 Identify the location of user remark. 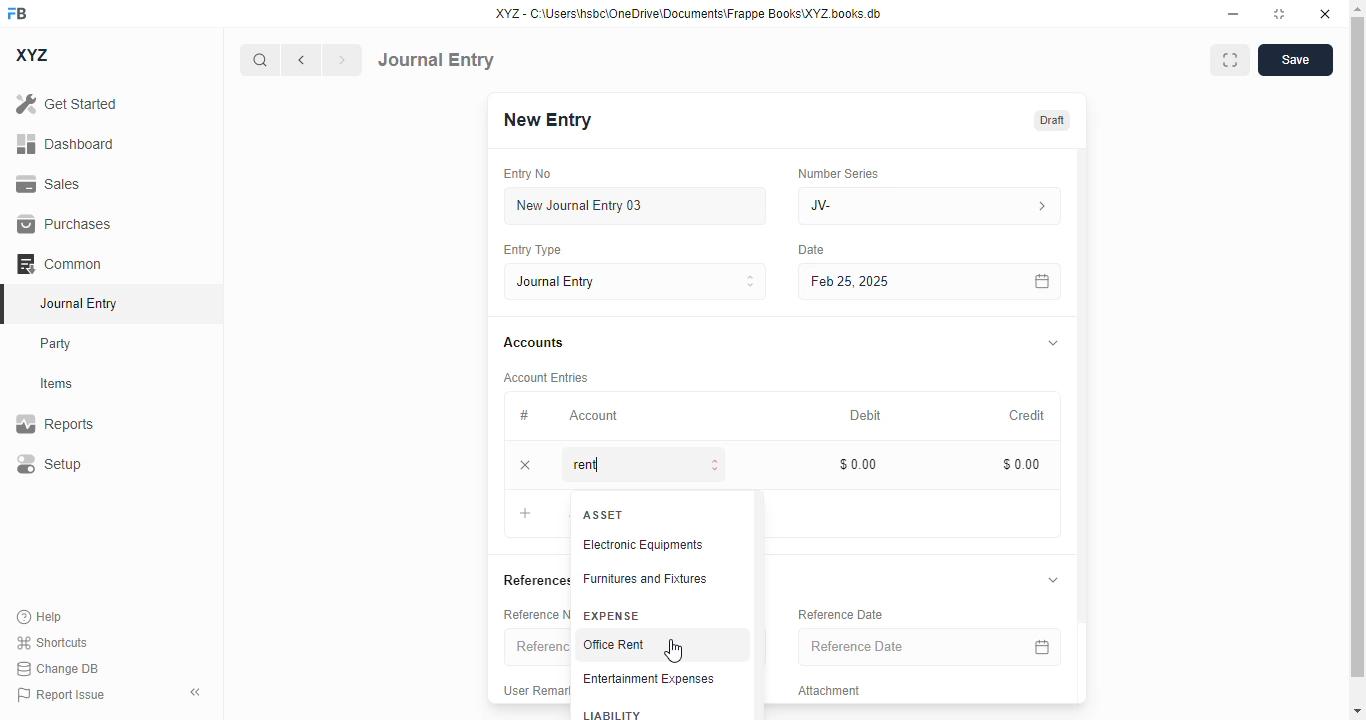
(533, 690).